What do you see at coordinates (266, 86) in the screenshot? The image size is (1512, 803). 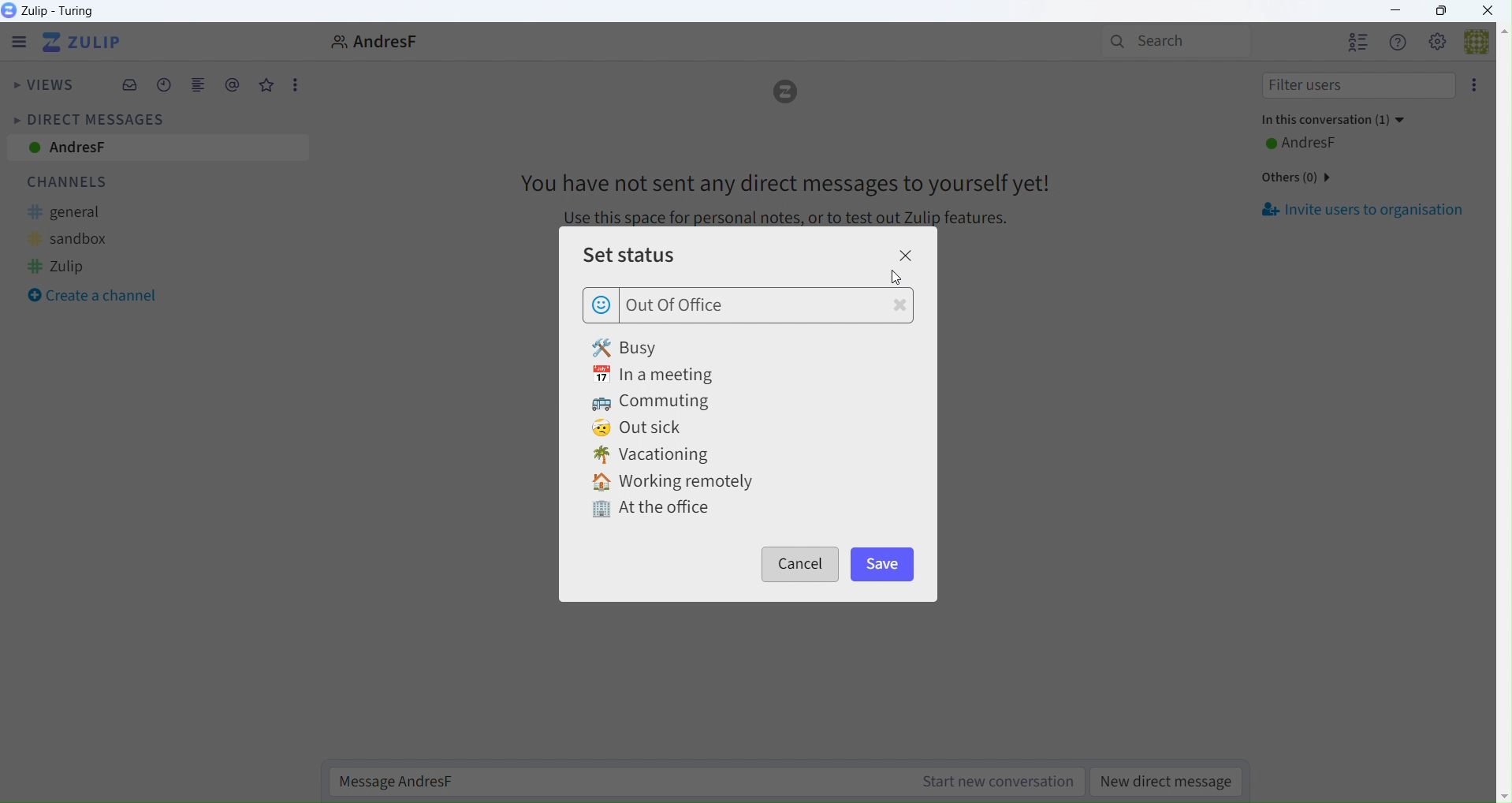 I see `Favourites` at bounding box center [266, 86].